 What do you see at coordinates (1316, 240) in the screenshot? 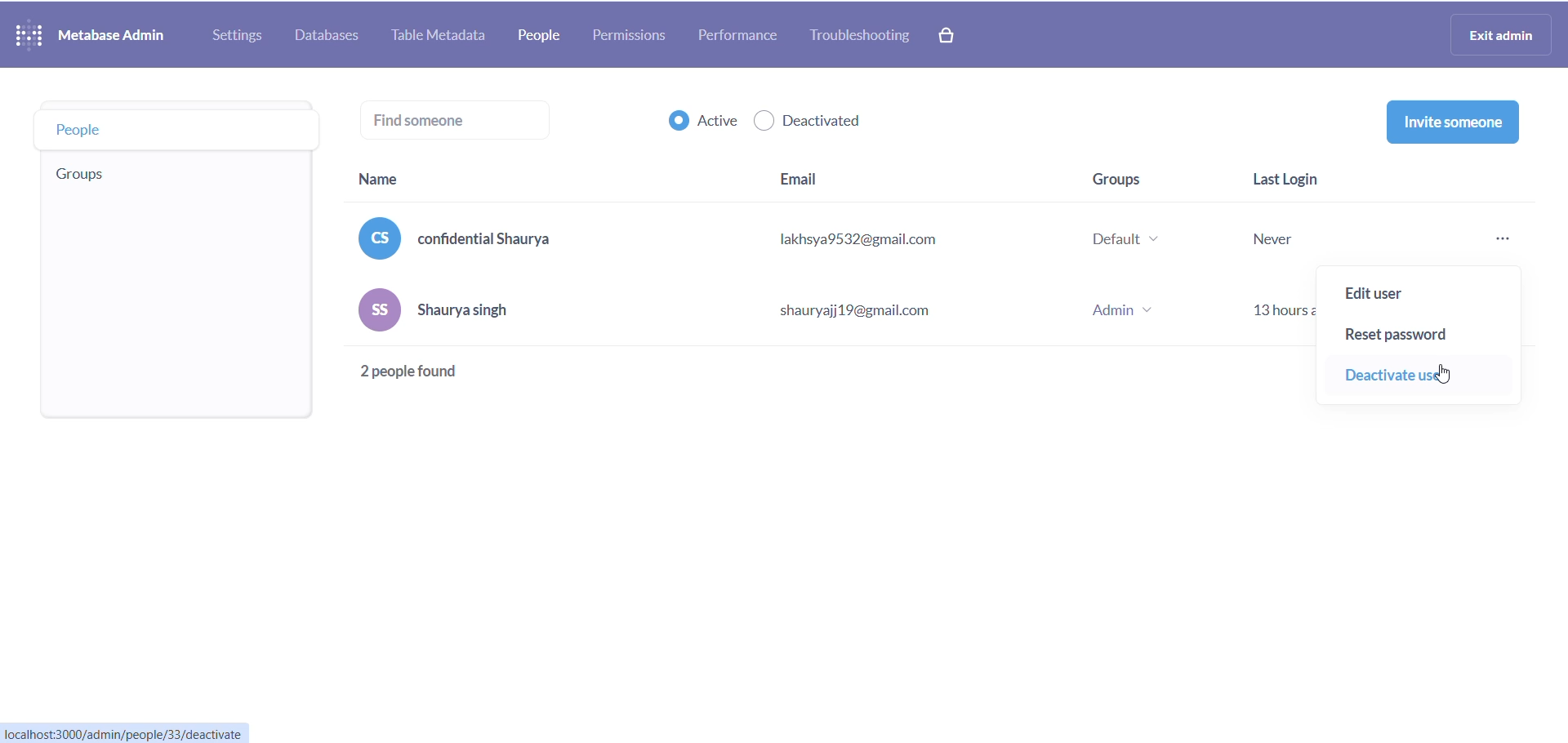
I see `last login stats` at bounding box center [1316, 240].